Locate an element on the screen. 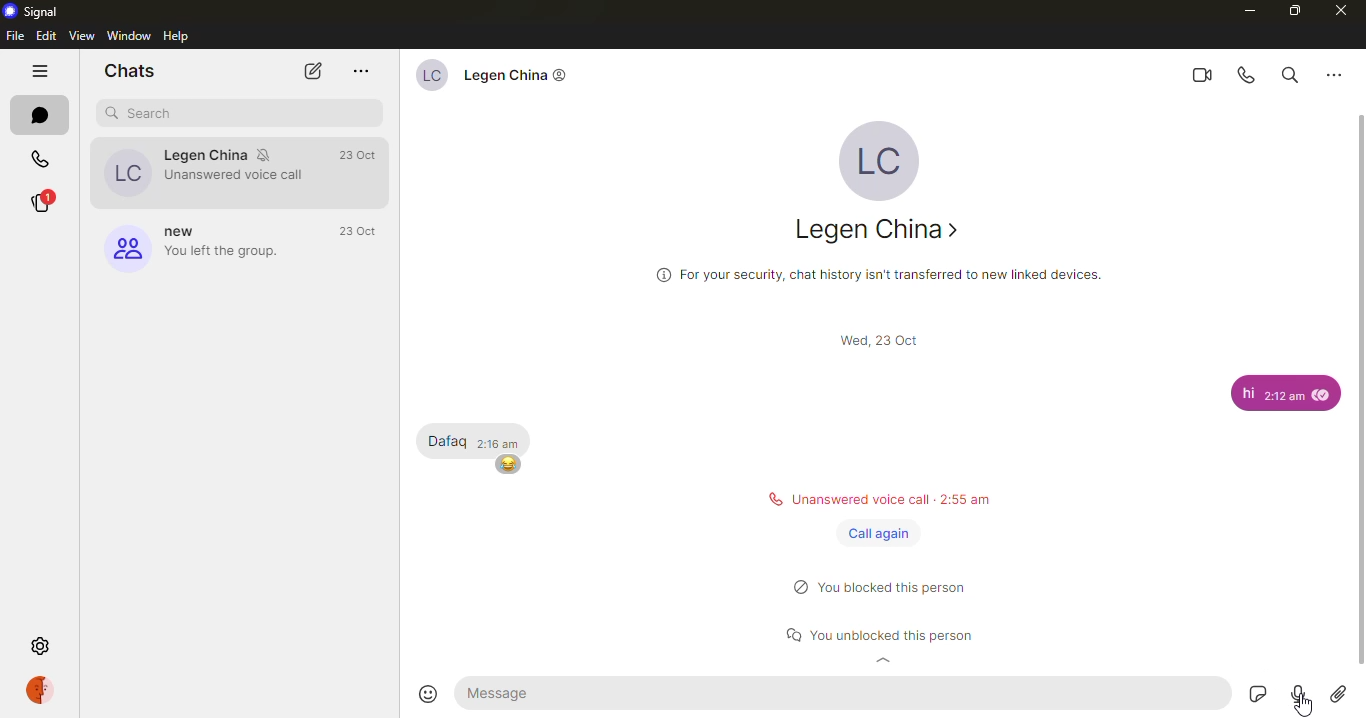 The height and width of the screenshot is (718, 1366). Unanswered voice call is located at coordinates (240, 177).